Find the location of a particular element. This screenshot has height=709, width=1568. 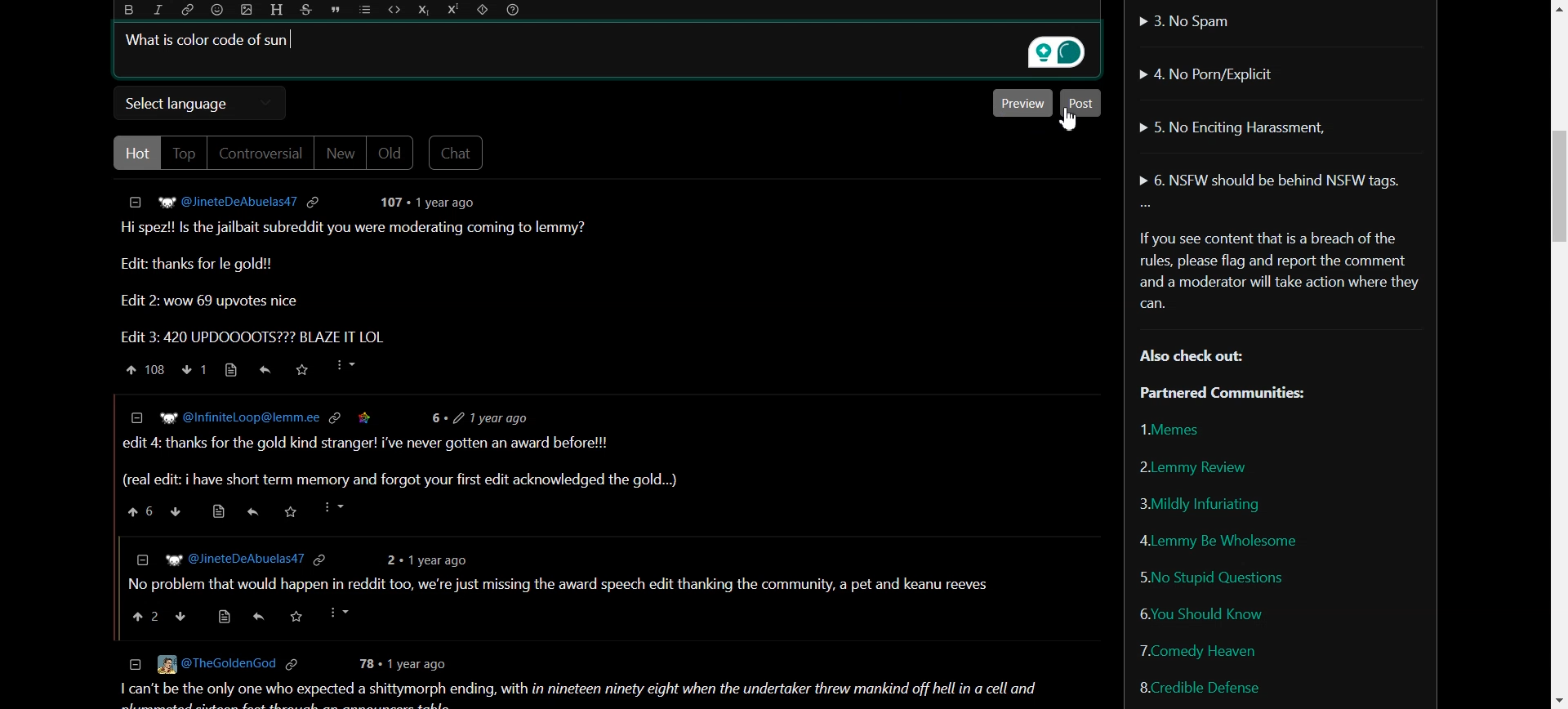

Cursor is located at coordinates (1069, 121).